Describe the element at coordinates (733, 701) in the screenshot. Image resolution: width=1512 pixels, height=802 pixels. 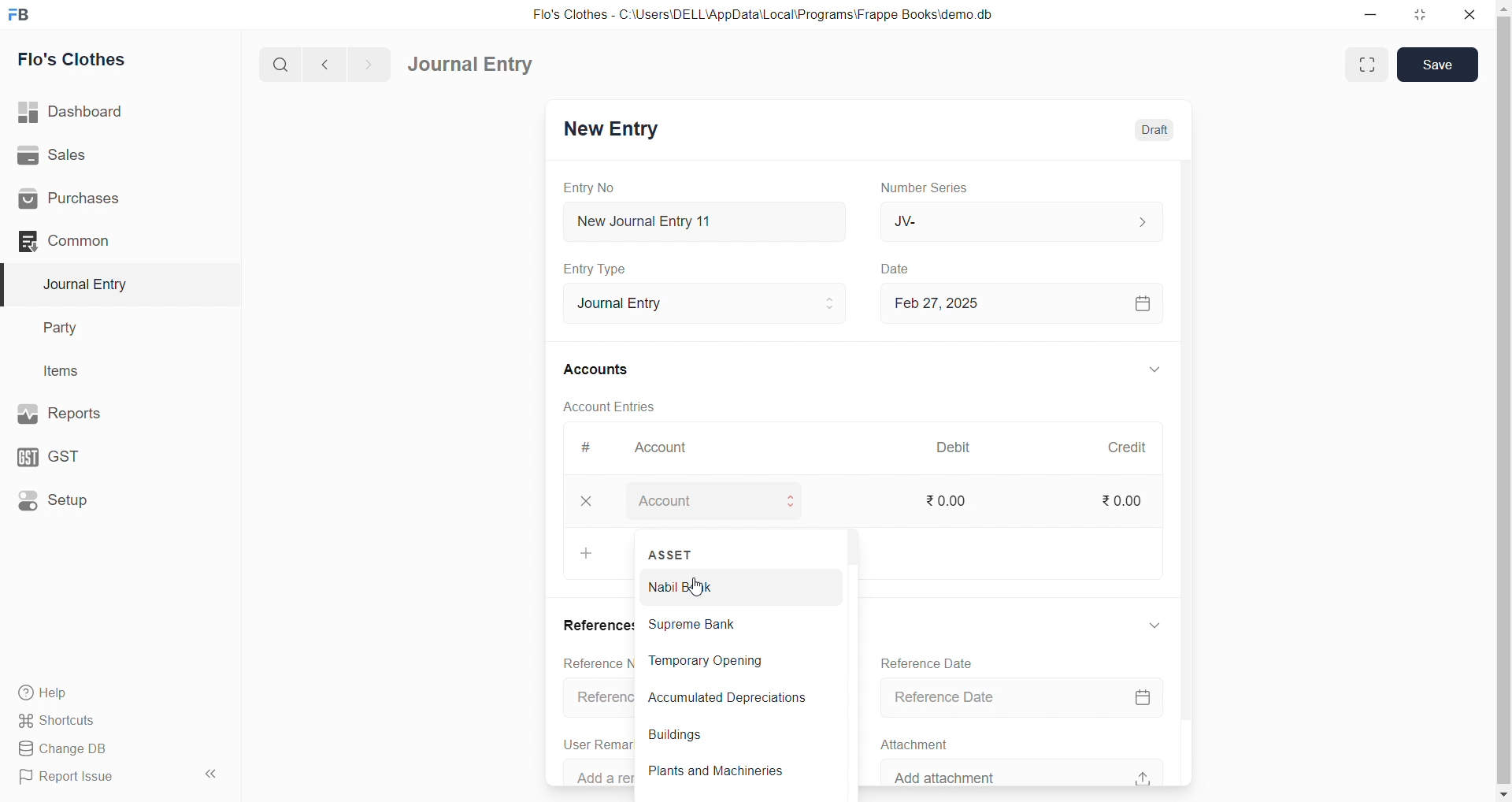
I see `Accumulated Depreciations` at that location.